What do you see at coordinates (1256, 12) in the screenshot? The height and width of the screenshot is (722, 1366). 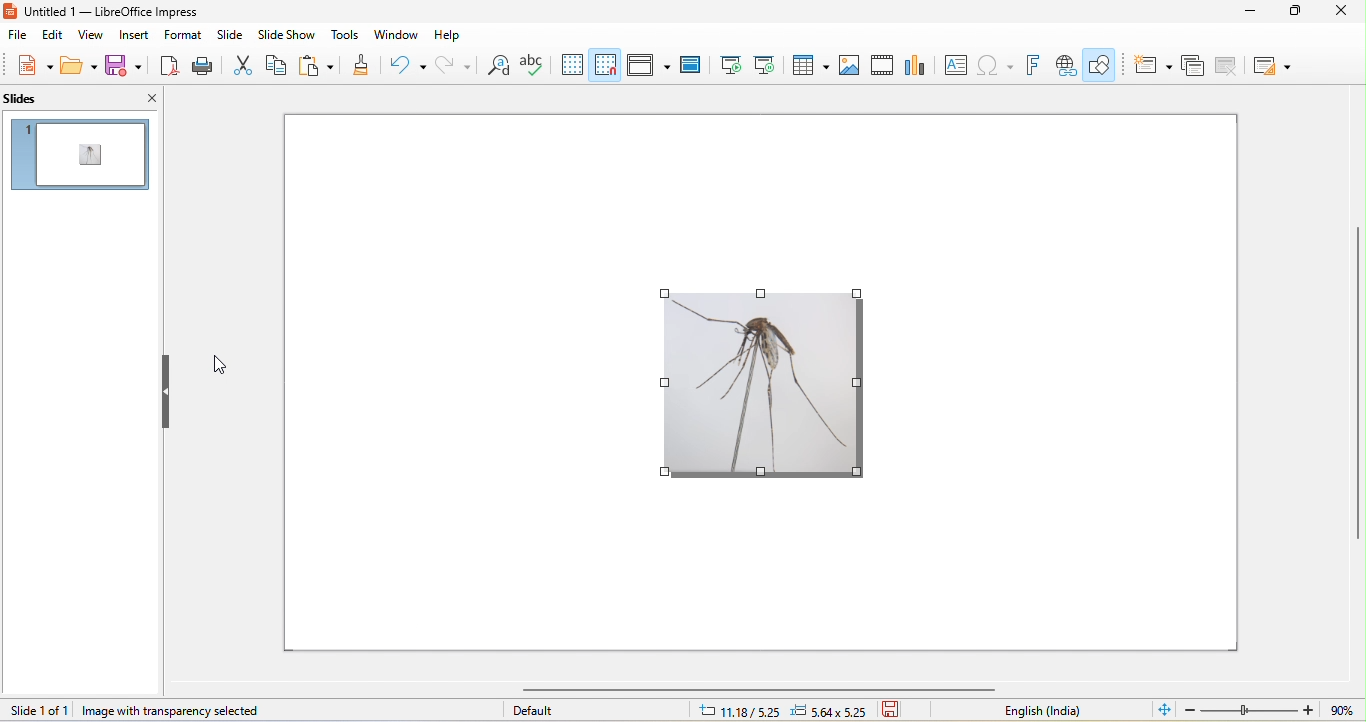 I see `minimize` at bounding box center [1256, 12].